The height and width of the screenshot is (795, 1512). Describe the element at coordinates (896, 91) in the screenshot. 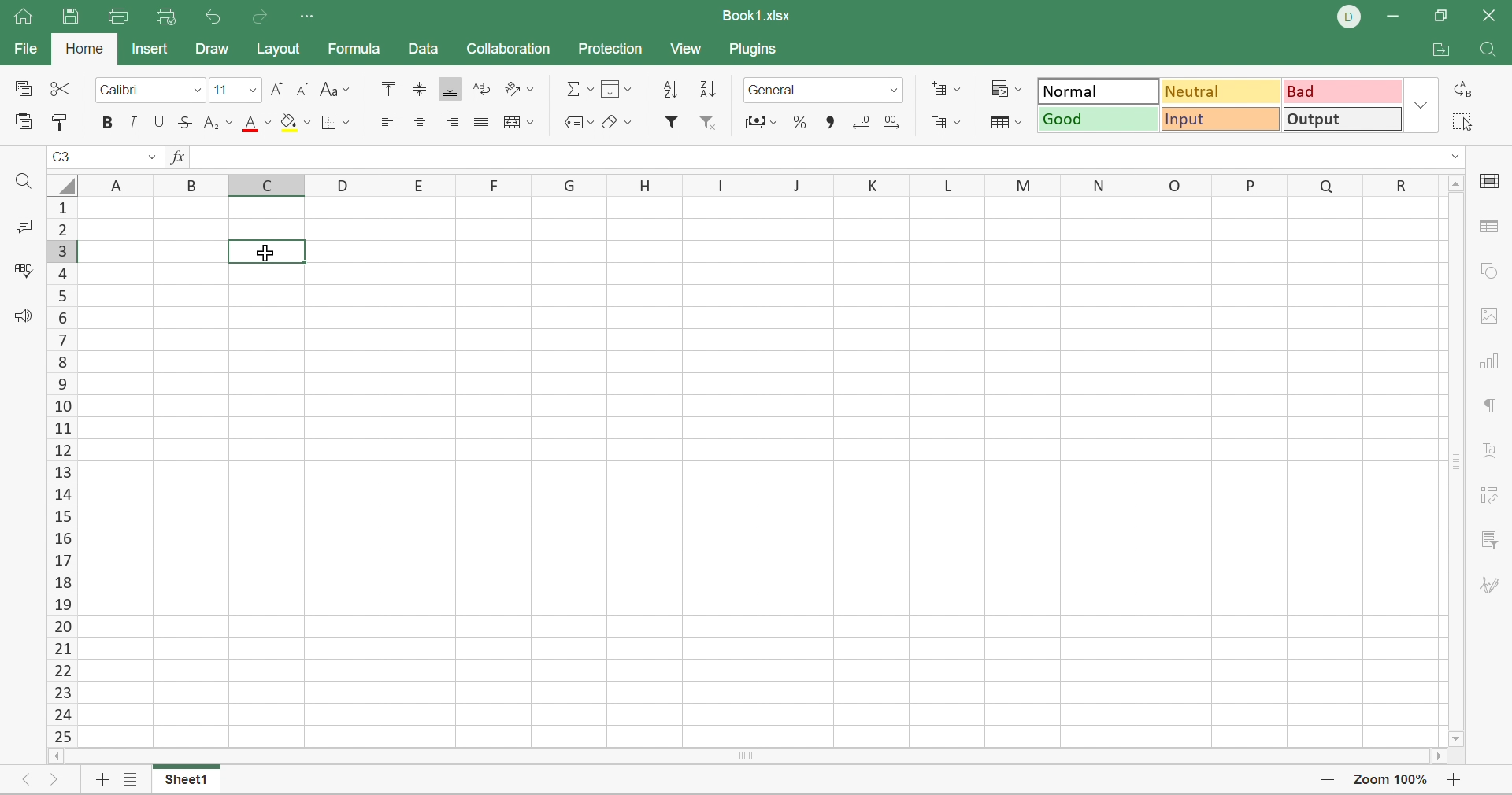

I see `Drop Down` at that location.